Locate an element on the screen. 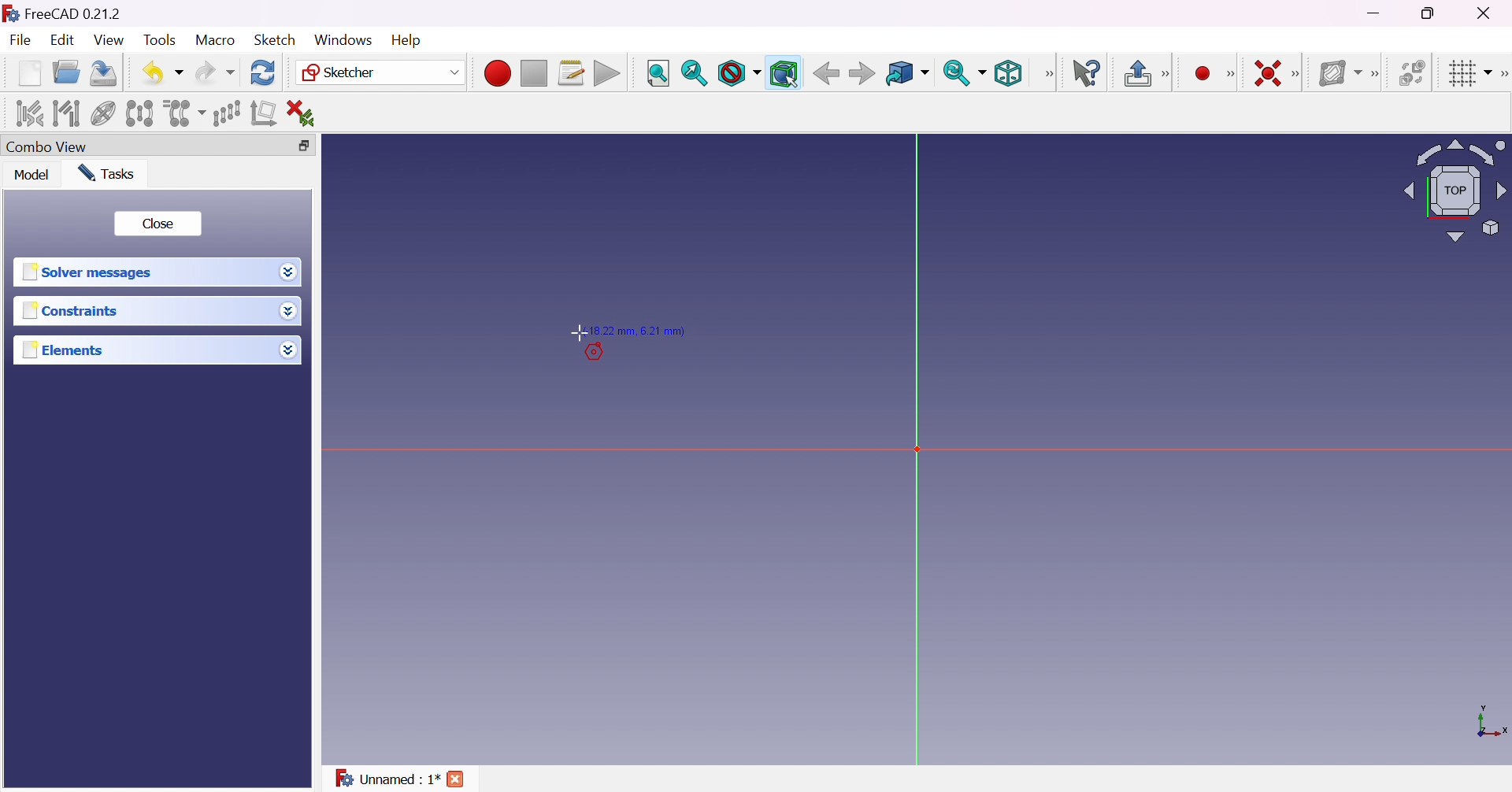  Refresh is located at coordinates (265, 73).